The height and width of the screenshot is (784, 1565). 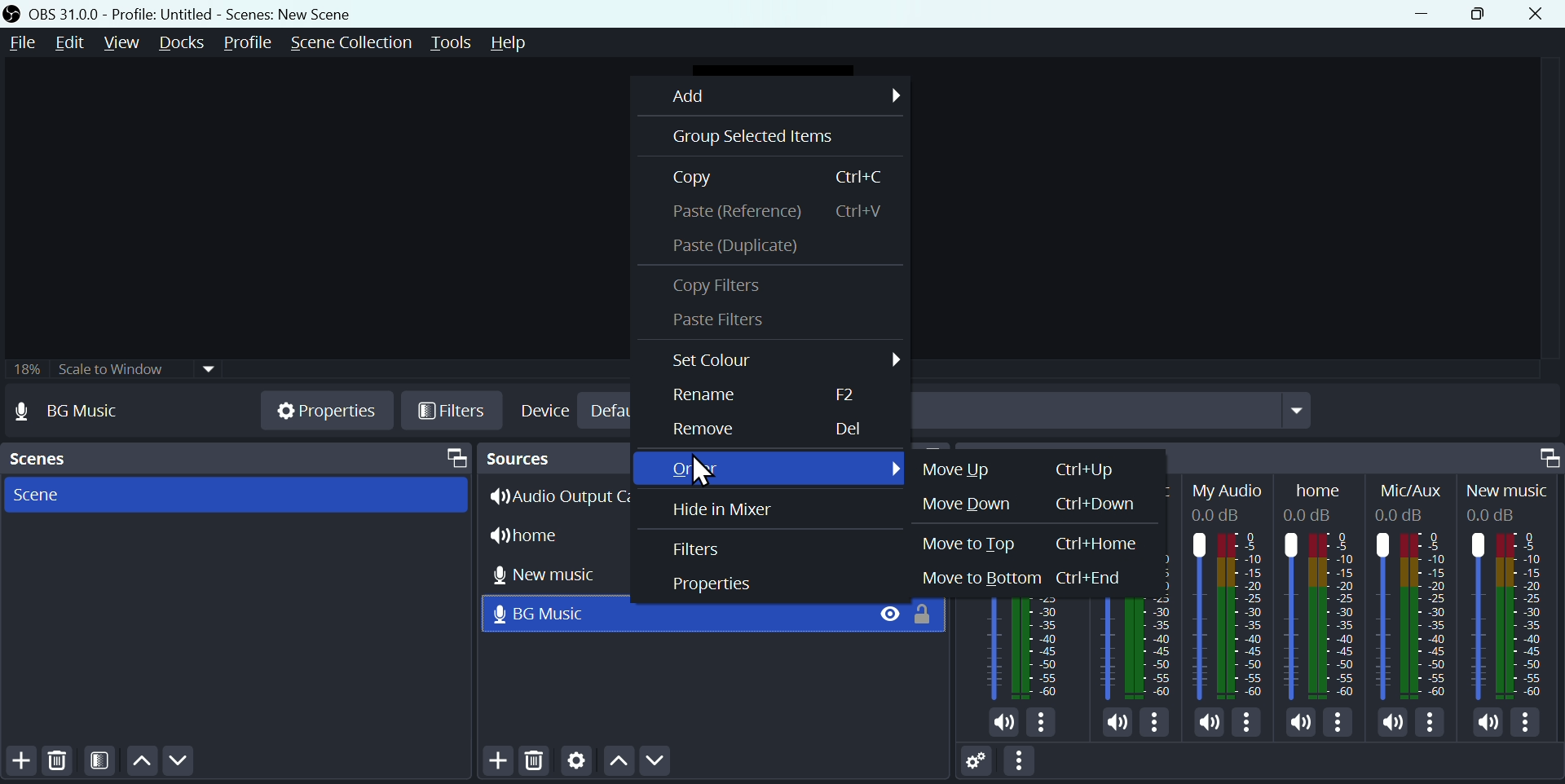 I want to click on Setting, so click(x=962, y=757).